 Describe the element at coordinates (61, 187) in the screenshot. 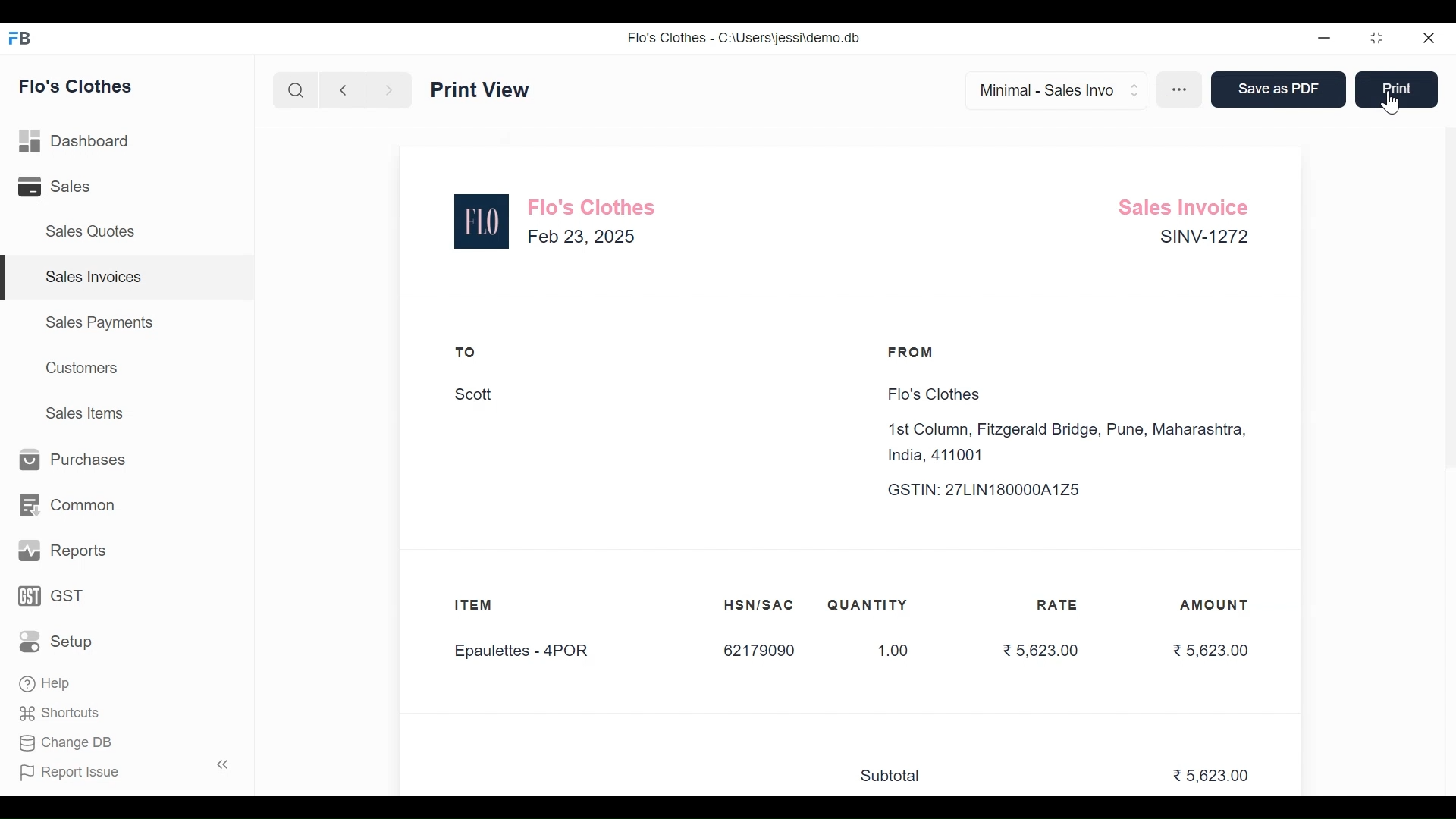

I see `Sales` at that location.